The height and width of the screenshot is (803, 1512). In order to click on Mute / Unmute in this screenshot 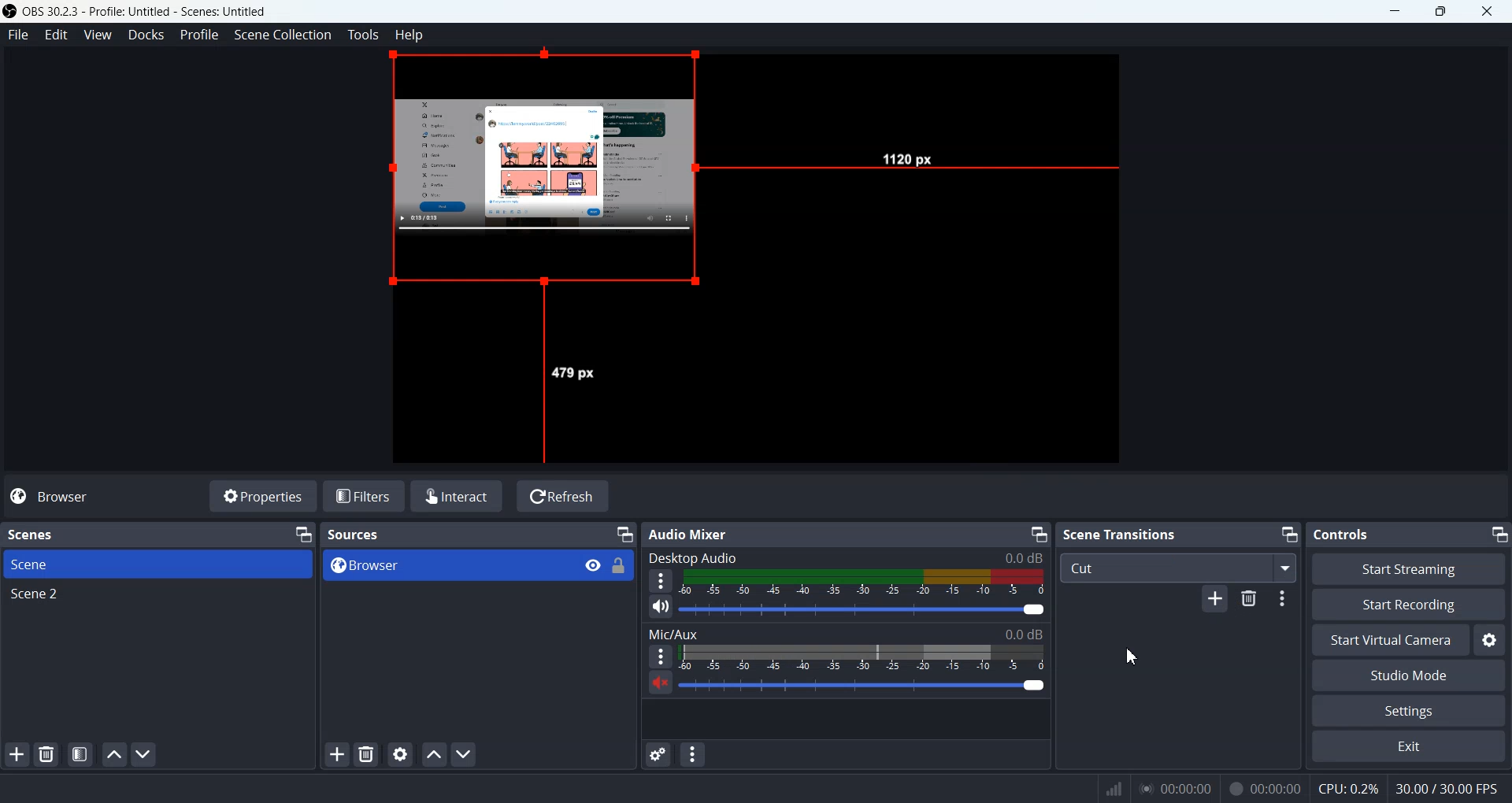, I will do `click(658, 682)`.